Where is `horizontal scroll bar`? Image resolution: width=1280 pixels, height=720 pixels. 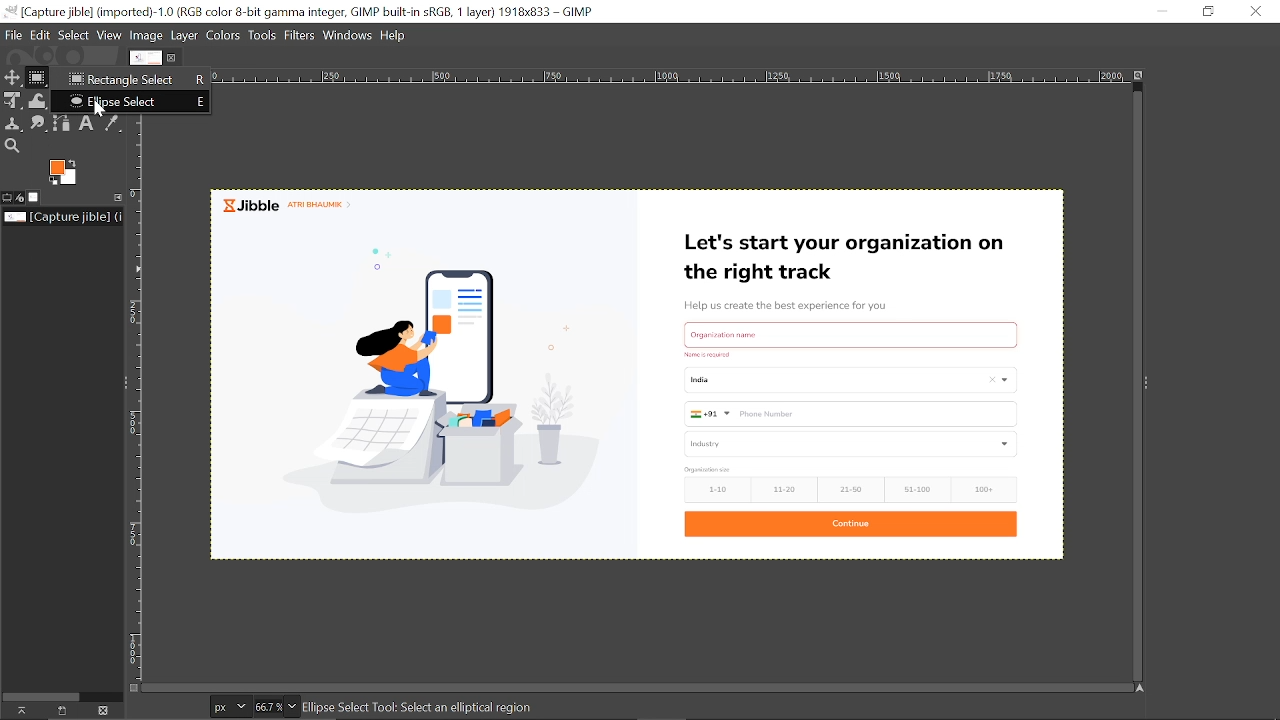 horizontal scroll bar is located at coordinates (639, 685).